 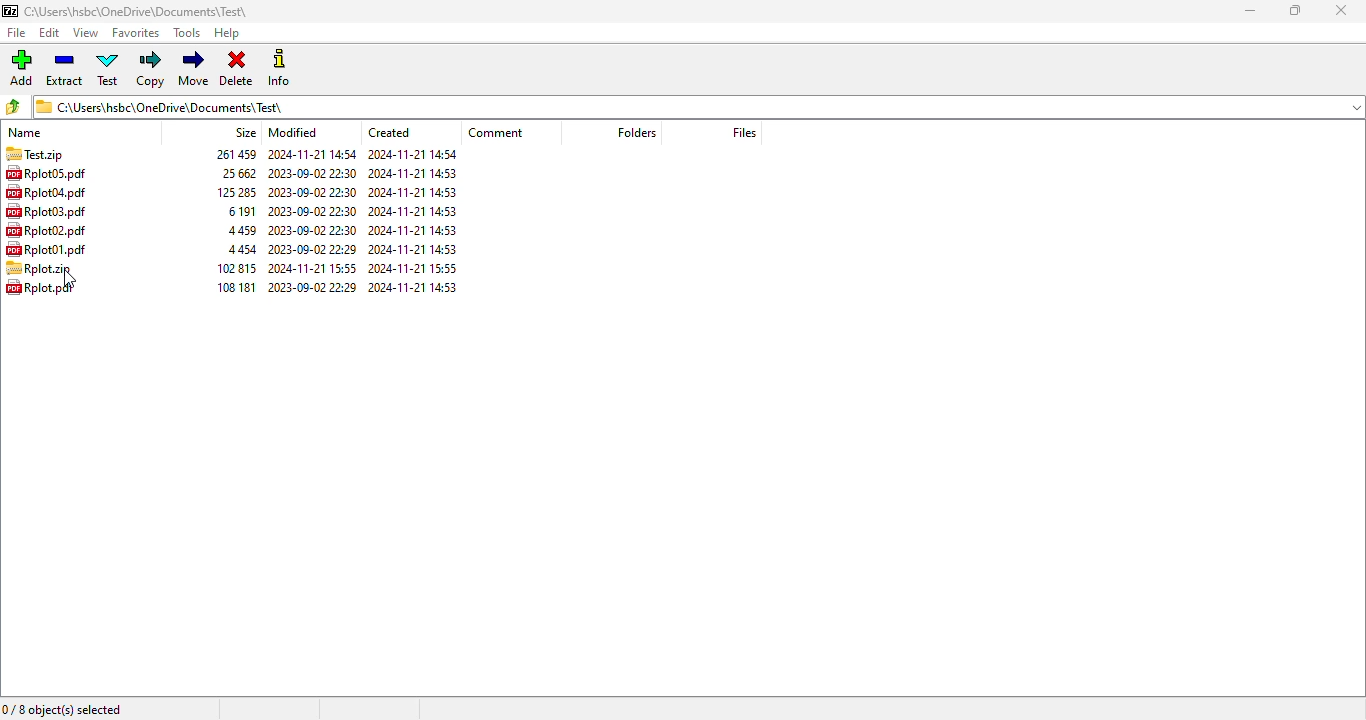 What do you see at coordinates (389, 132) in the screenshot?
I see `created` at bounding box center [389, 132].